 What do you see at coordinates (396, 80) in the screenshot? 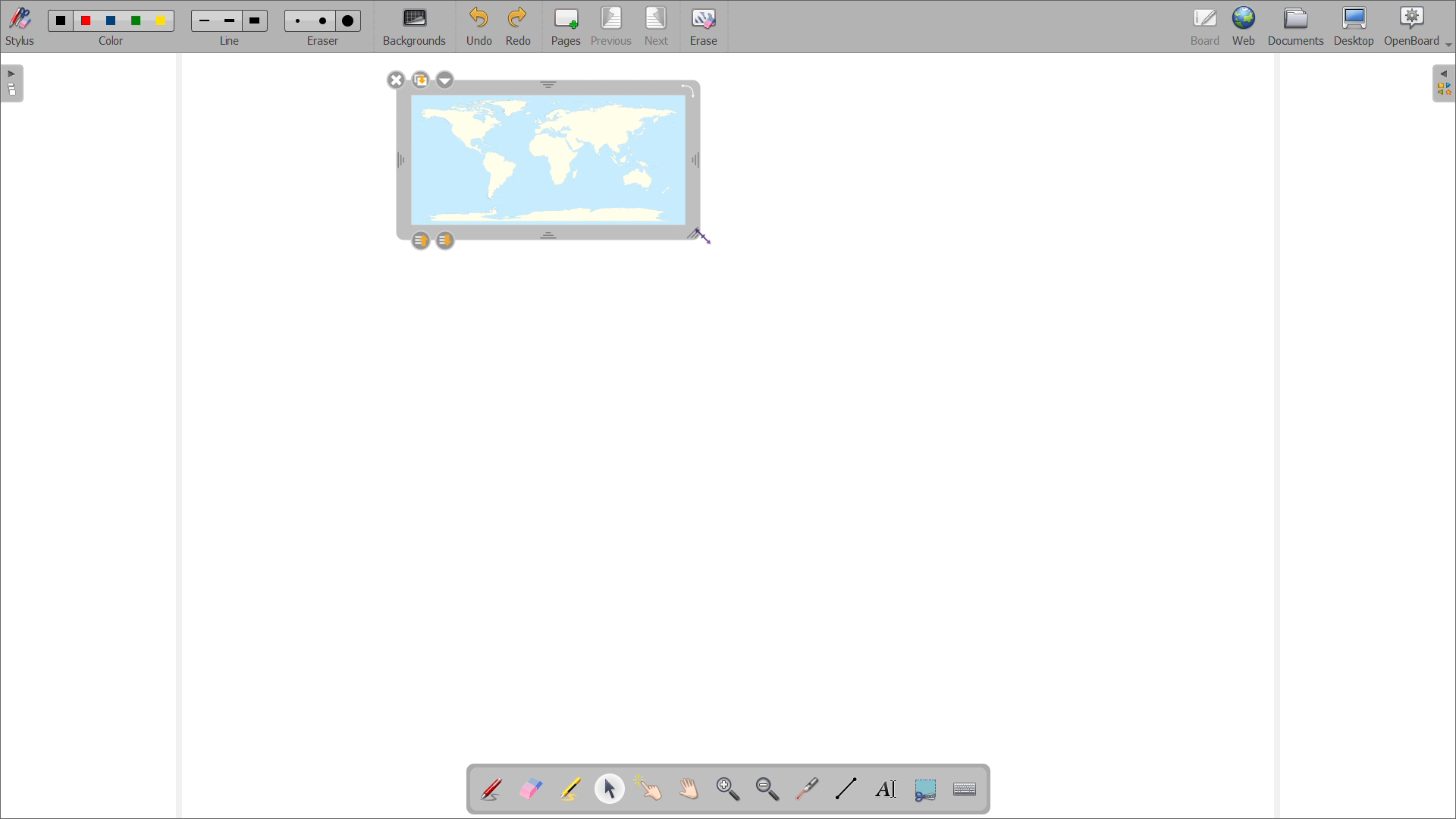
I see `delete` at bounding box center [396, 80].